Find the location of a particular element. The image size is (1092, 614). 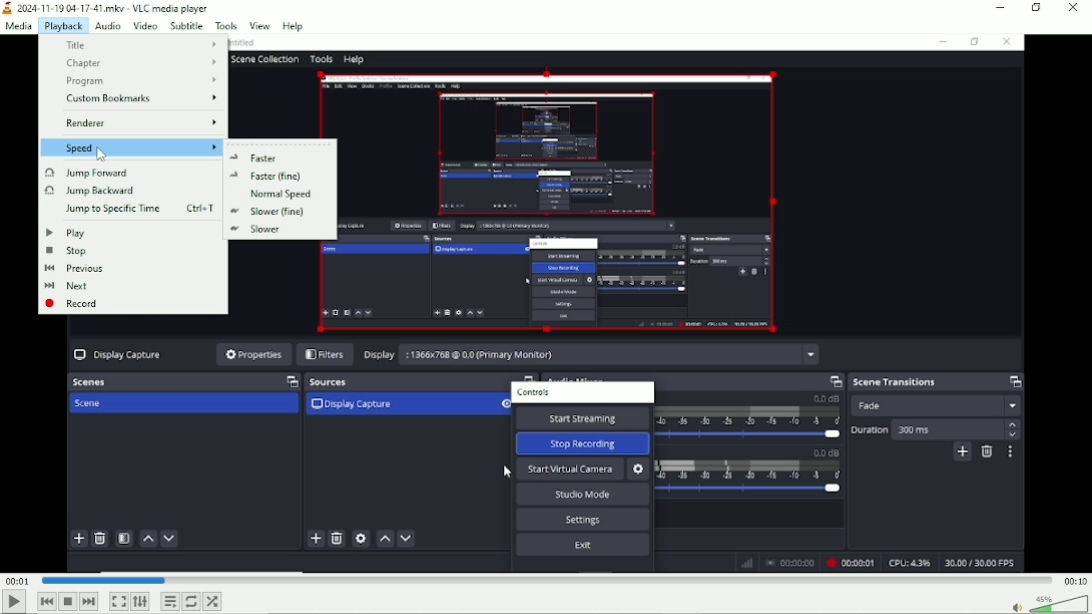

stop is located at coordinates (127, 251).